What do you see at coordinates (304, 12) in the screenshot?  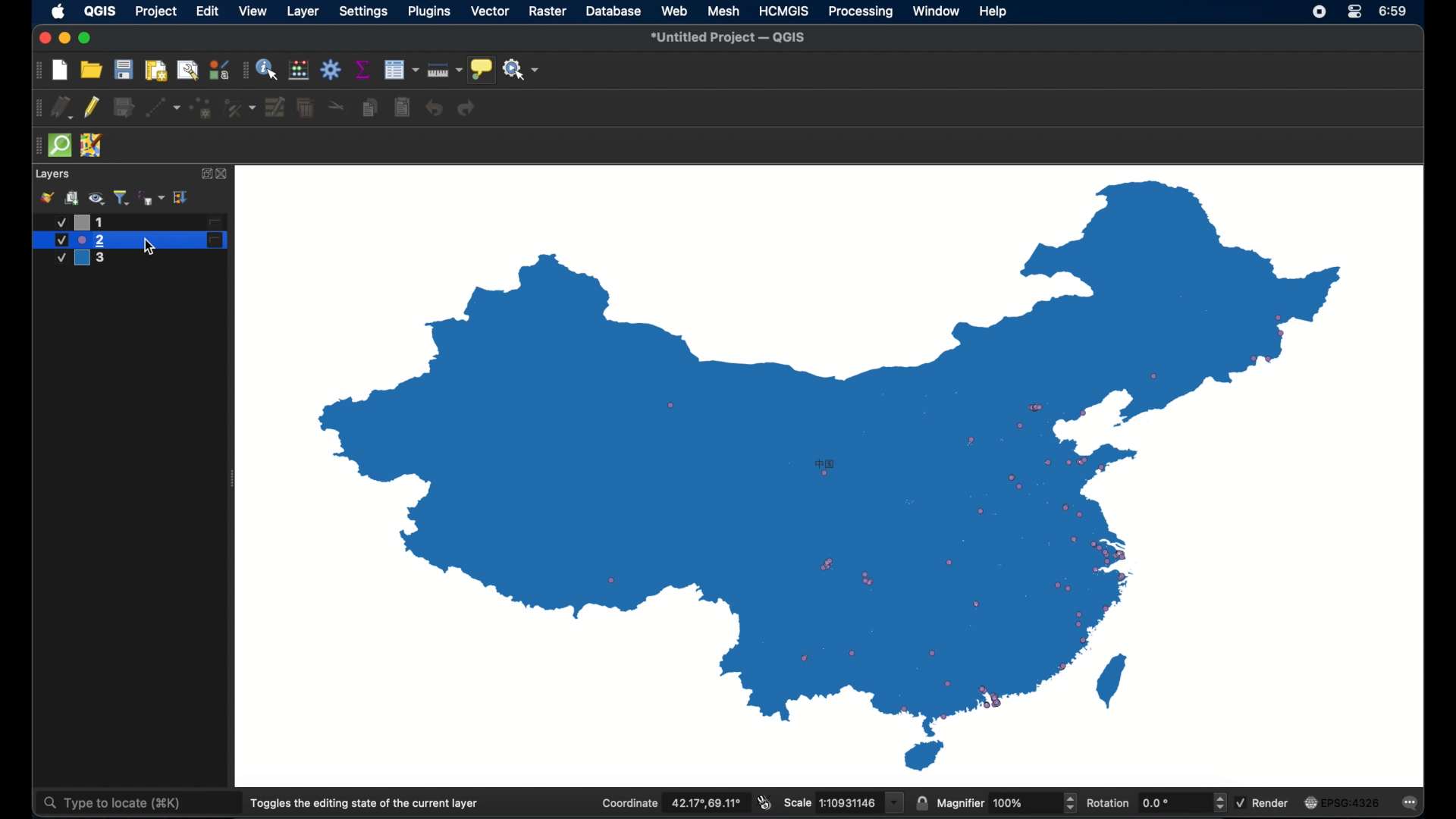 I see `layer` at bounding box center [304, 12].